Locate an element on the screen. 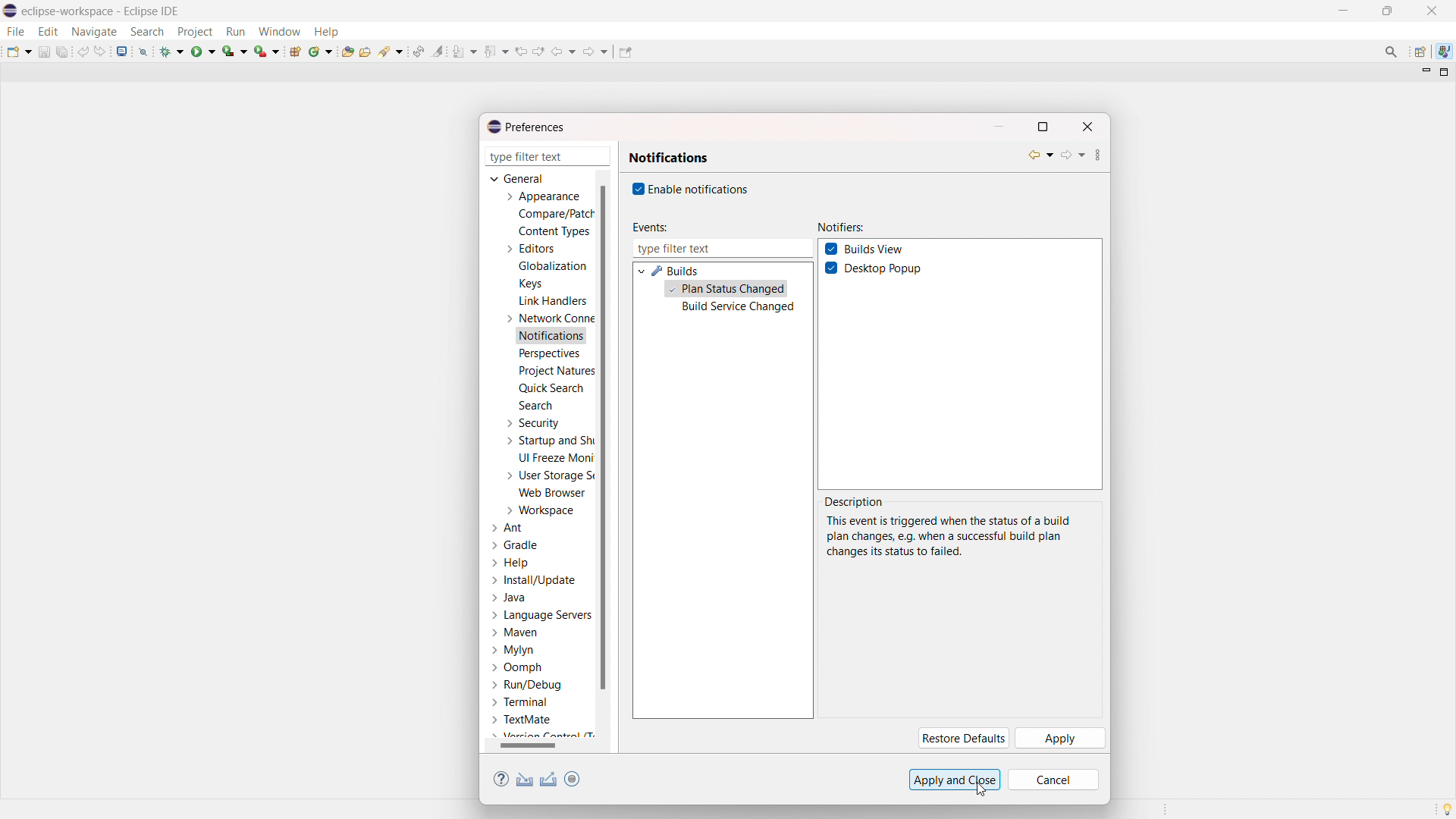  cursor is located at coordinates (981, 789).